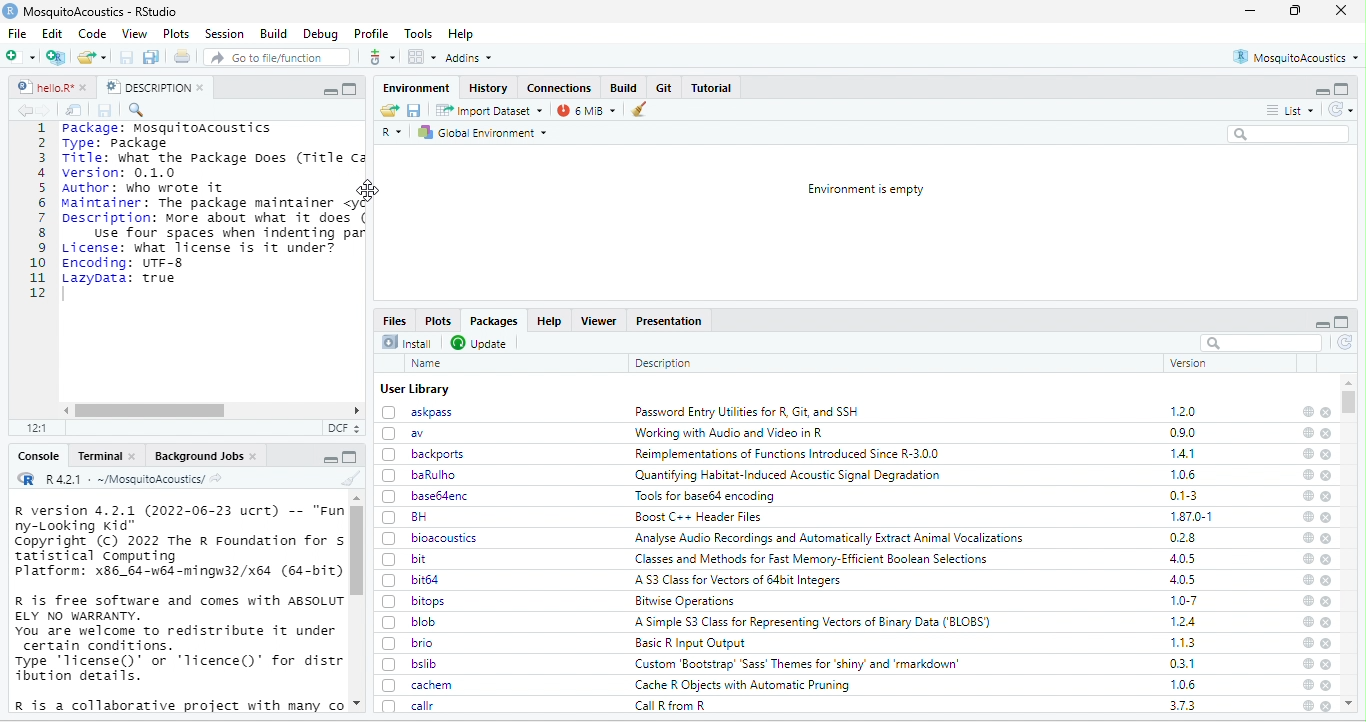  Describe the element at coordinates (1182, 663) in the screenshot. I see `0.3.1` at that location.